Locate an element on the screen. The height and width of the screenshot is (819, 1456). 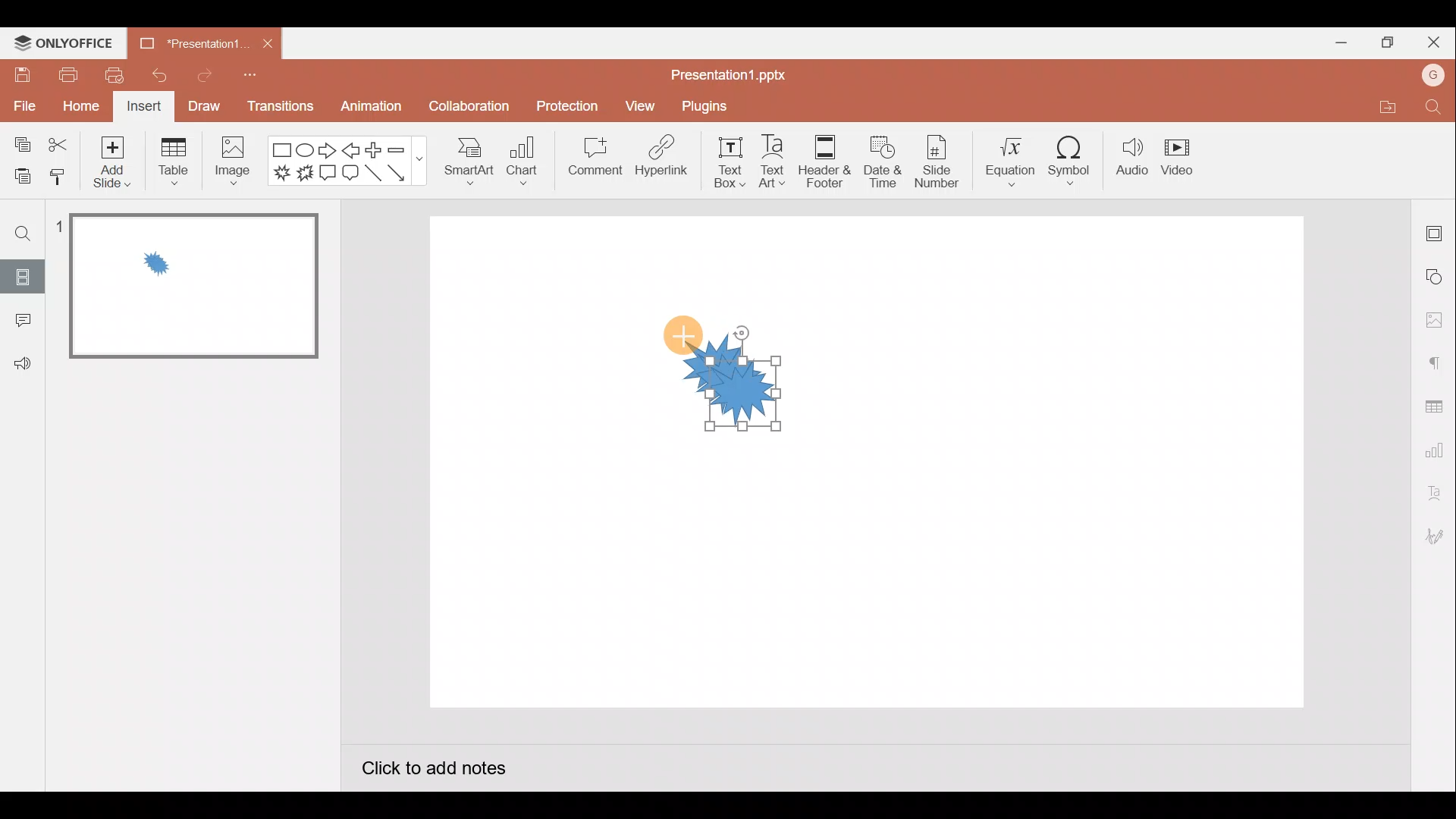
Equation is located at coordinates (1006, 163).